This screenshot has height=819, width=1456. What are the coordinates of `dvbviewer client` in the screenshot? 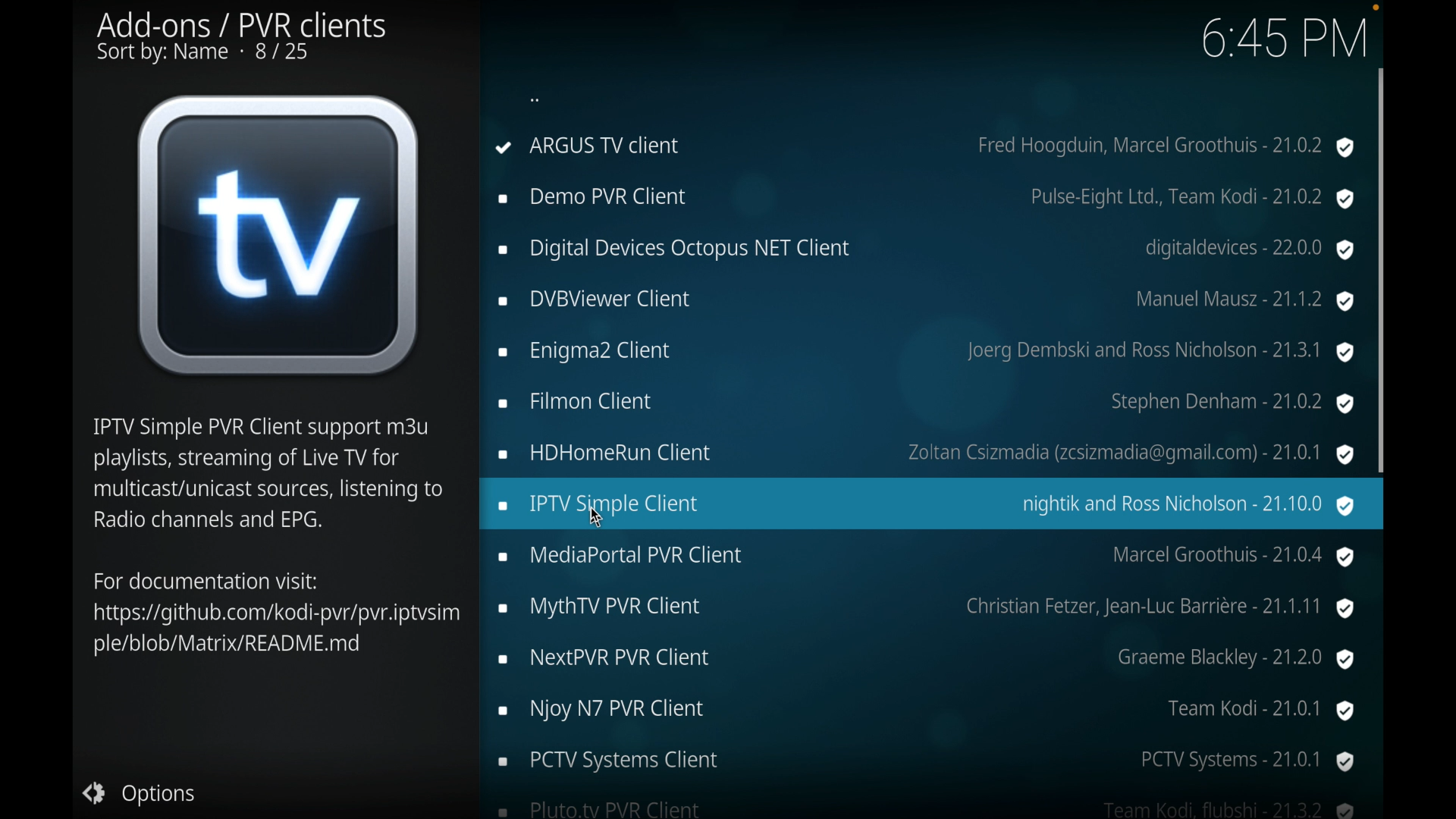 It's located at (924, 300).